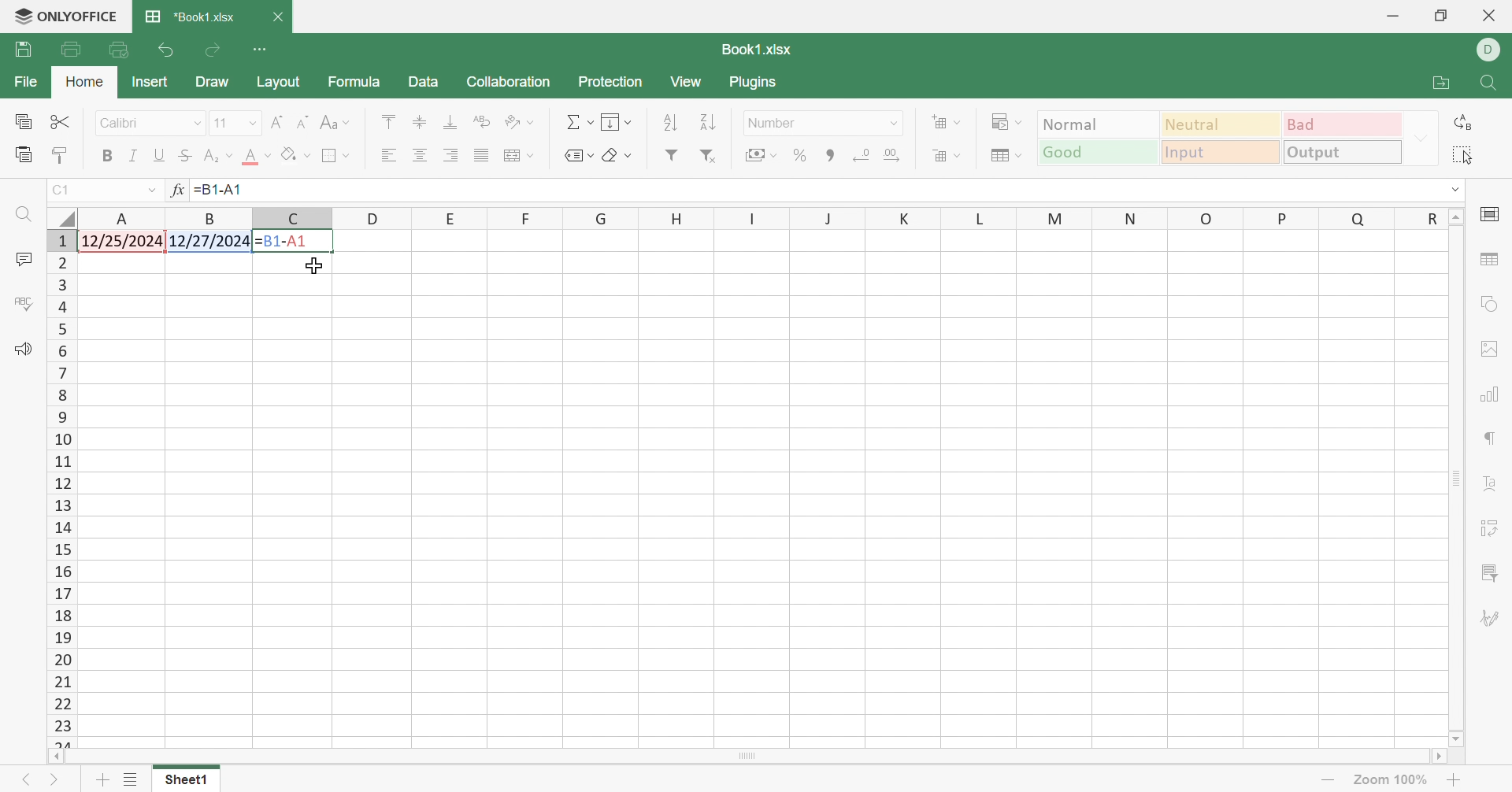 This screenshot has width=1512, height=792. I want to click on Wrap Text, so click(480, 120).